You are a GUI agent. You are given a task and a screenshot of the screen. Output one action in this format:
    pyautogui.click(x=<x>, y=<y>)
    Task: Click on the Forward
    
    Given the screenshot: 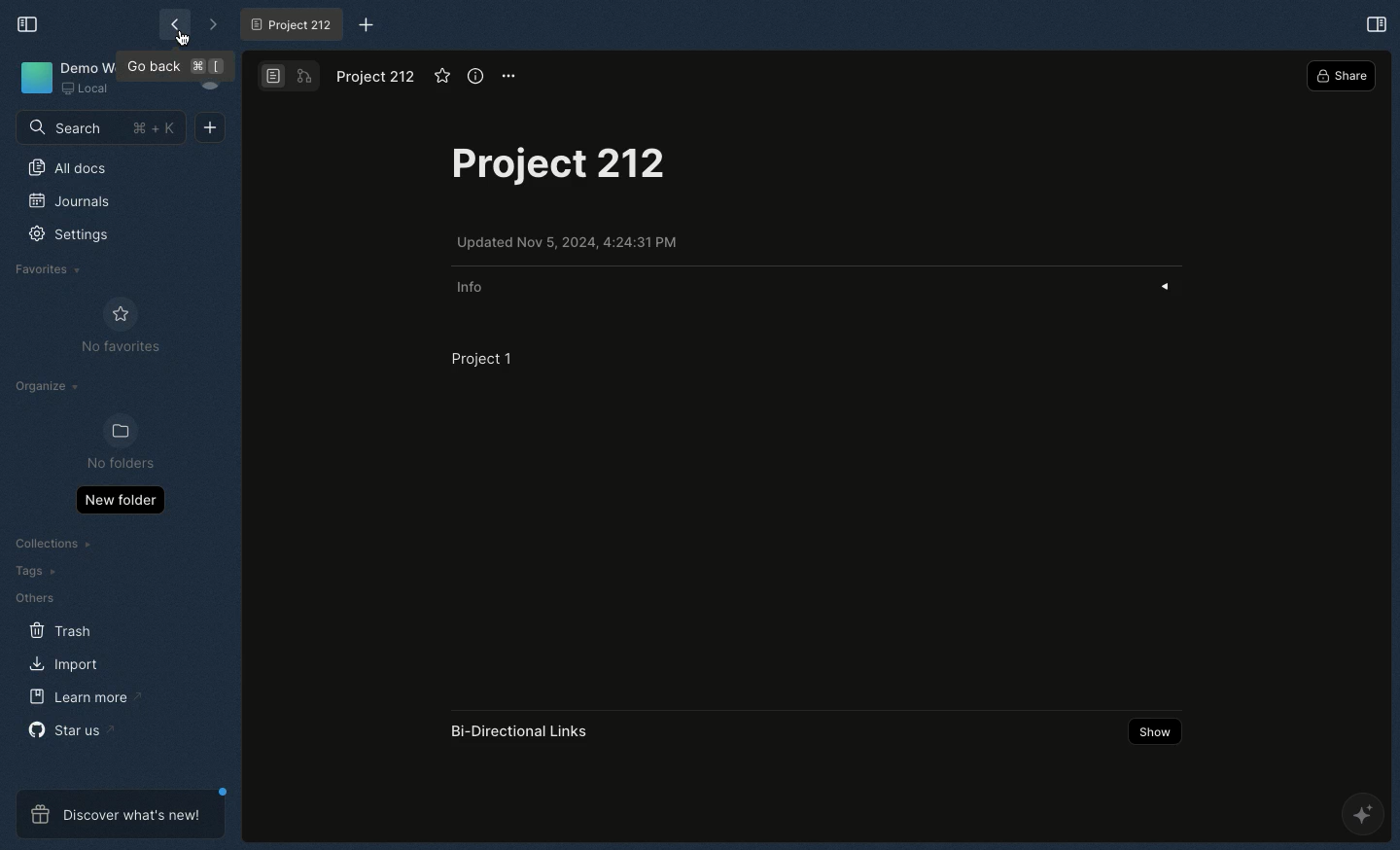 What is the action you would take?
    pyautogui.click(x=209, y=25)
    